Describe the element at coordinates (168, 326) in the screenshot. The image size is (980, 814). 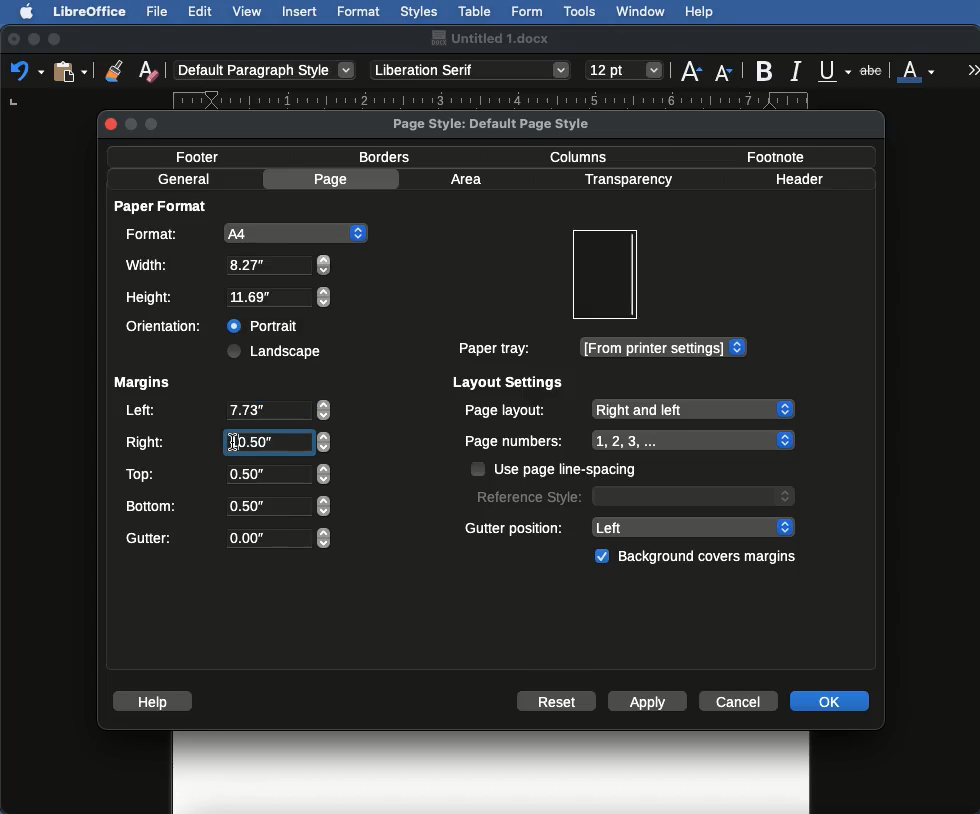
I see `Orientation` at that location.